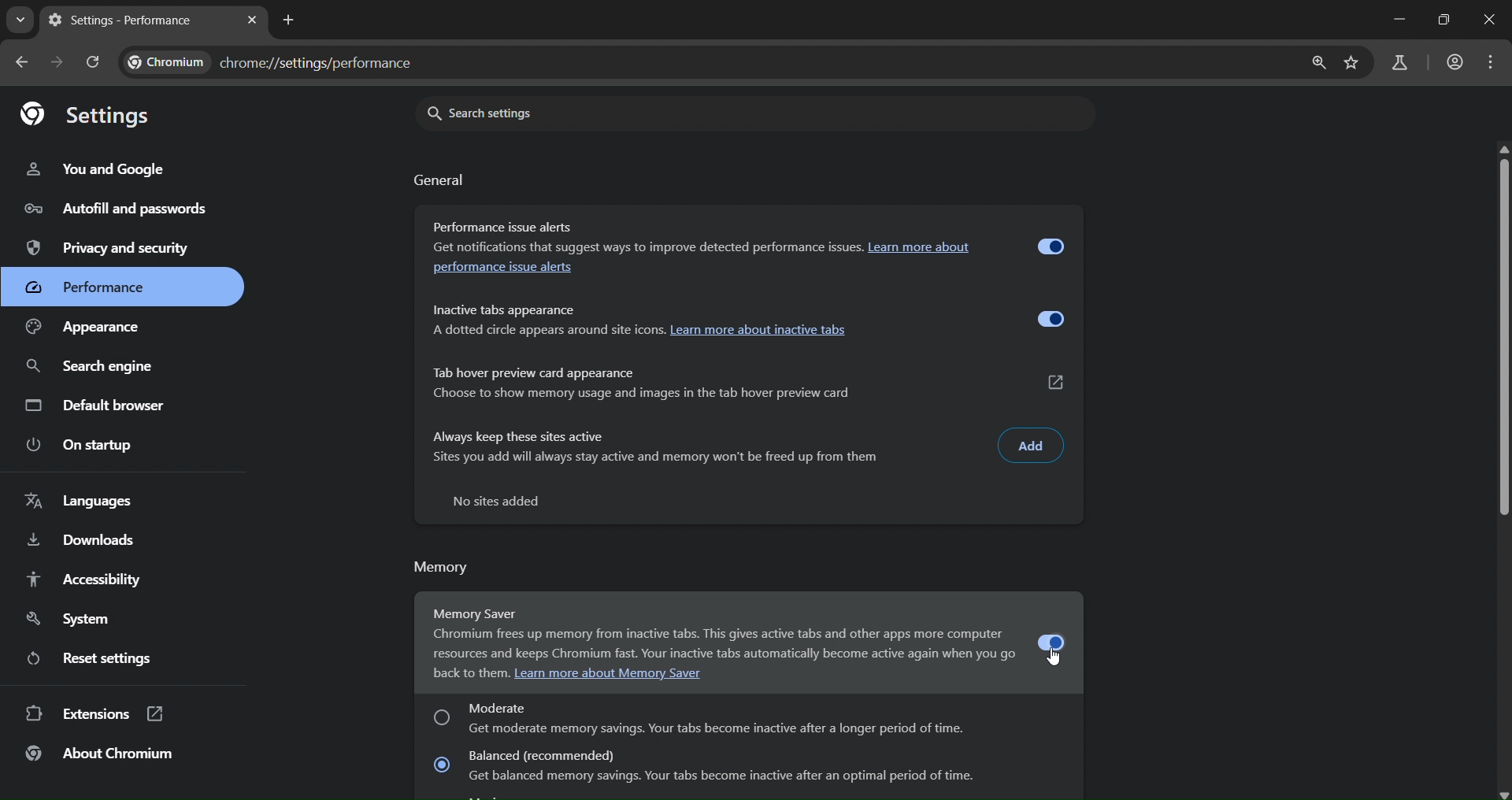  I want to click on balanced (recommended), so click(541, 756).